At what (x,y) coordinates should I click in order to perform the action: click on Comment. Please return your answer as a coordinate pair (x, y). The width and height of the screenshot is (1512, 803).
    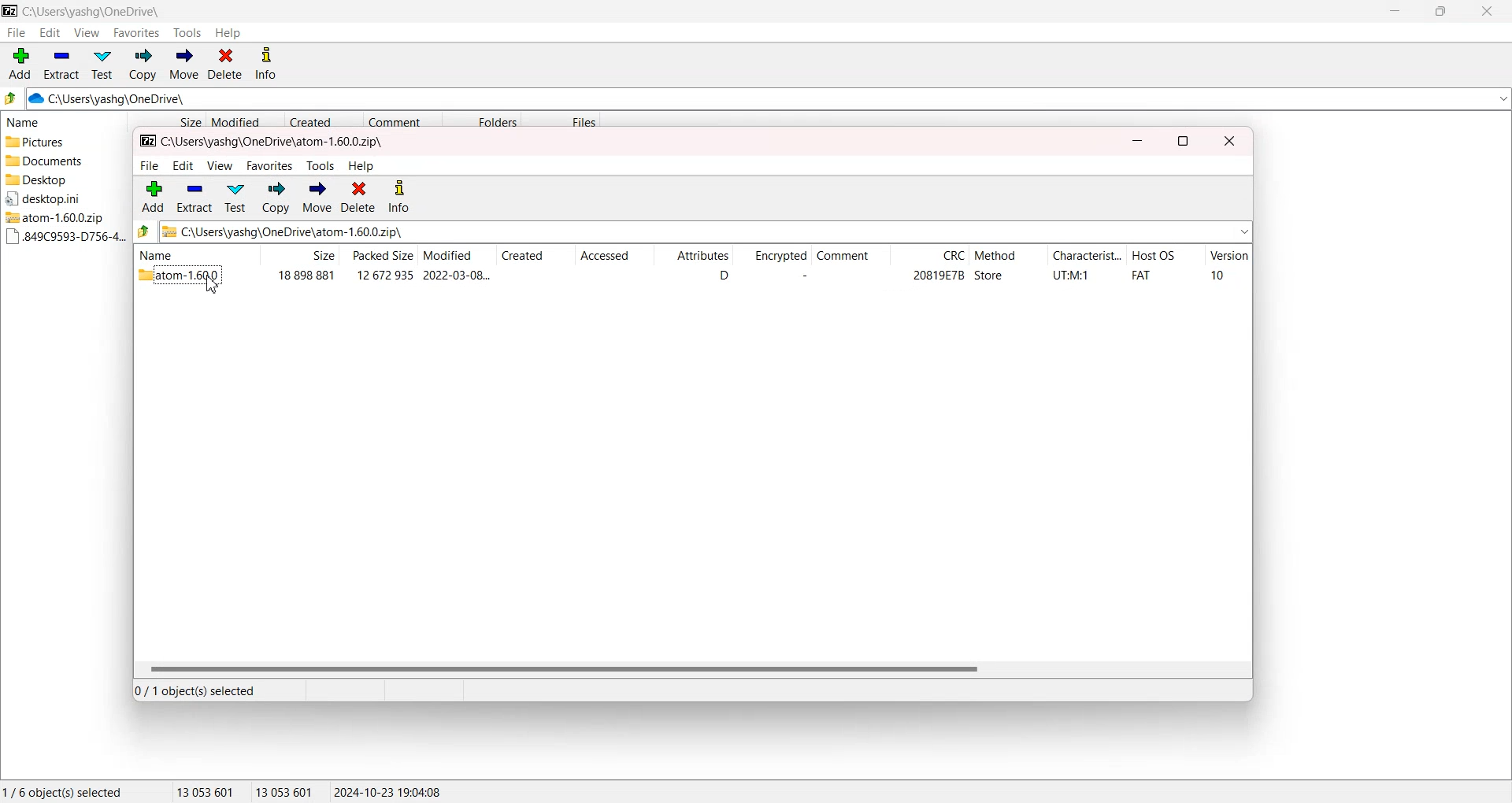
    Looking at the image, I should click on (849, 257).